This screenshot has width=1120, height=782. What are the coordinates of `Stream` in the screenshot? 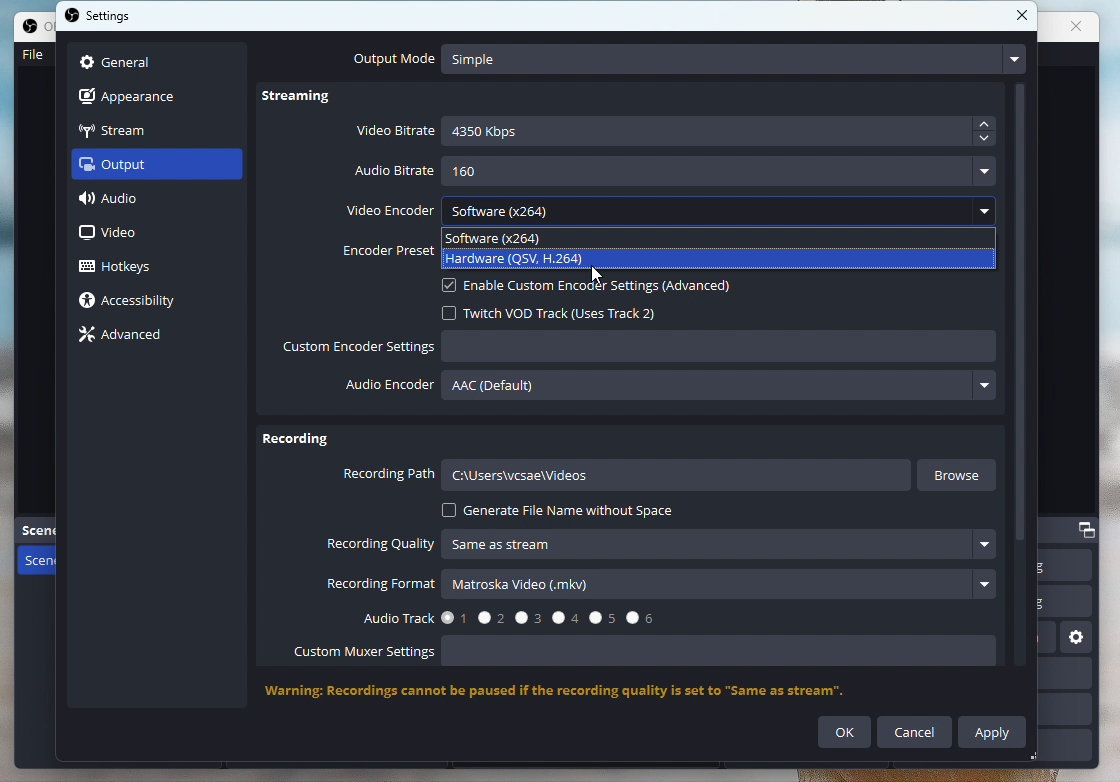 It's located at (136, 129).